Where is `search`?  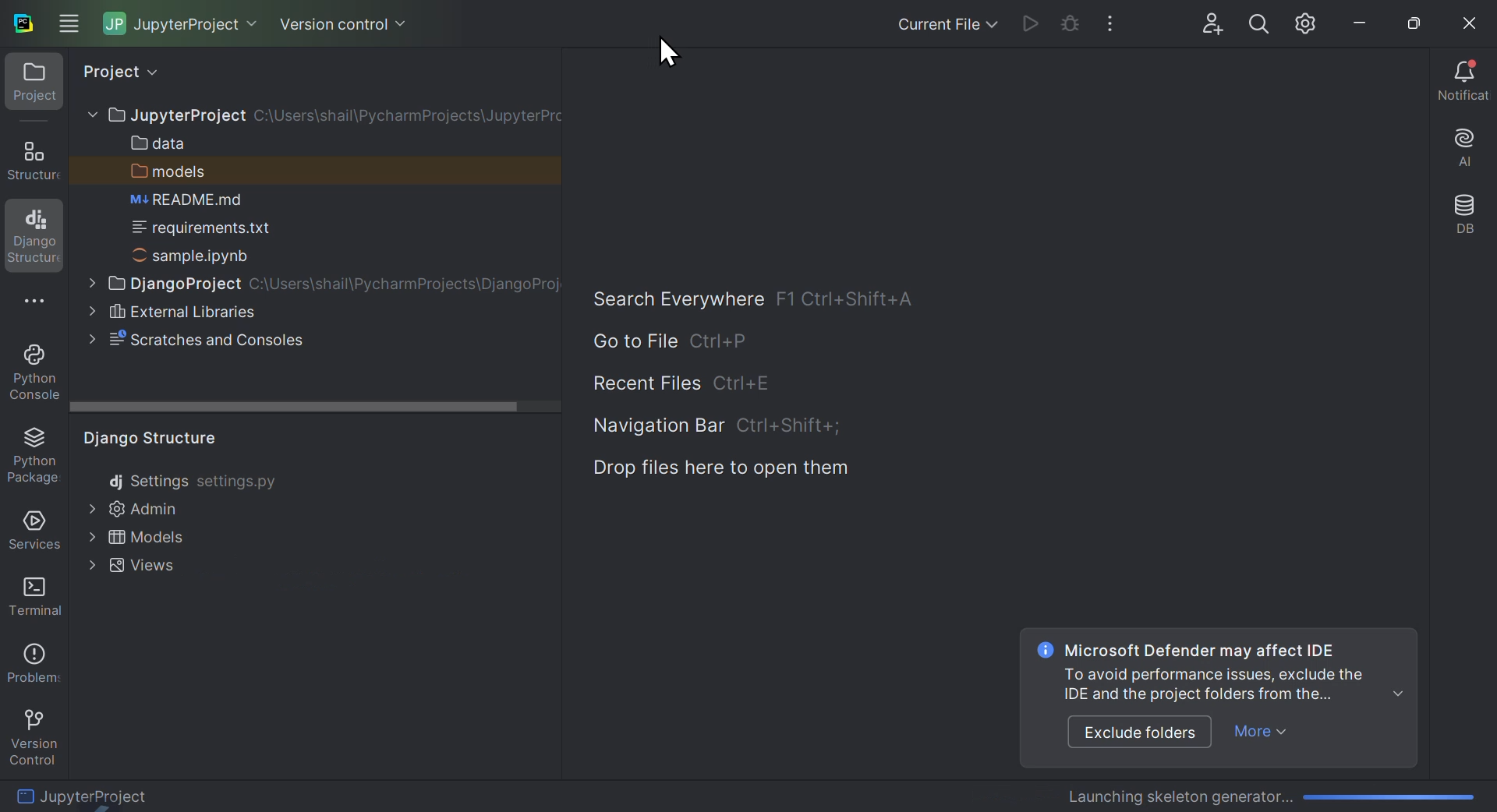 search is located at coordinates (1260, 24).